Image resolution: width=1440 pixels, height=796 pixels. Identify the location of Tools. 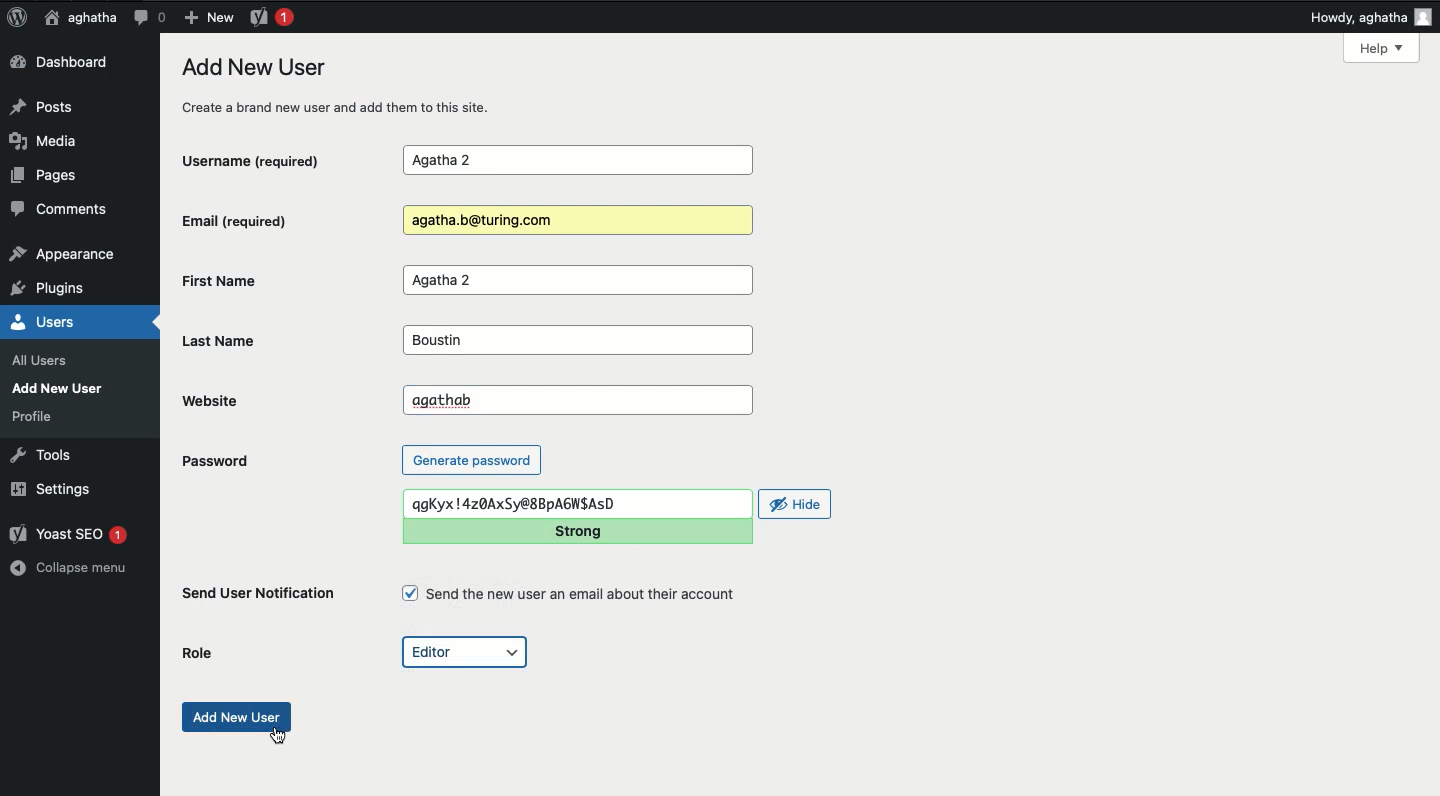
(42, 453).